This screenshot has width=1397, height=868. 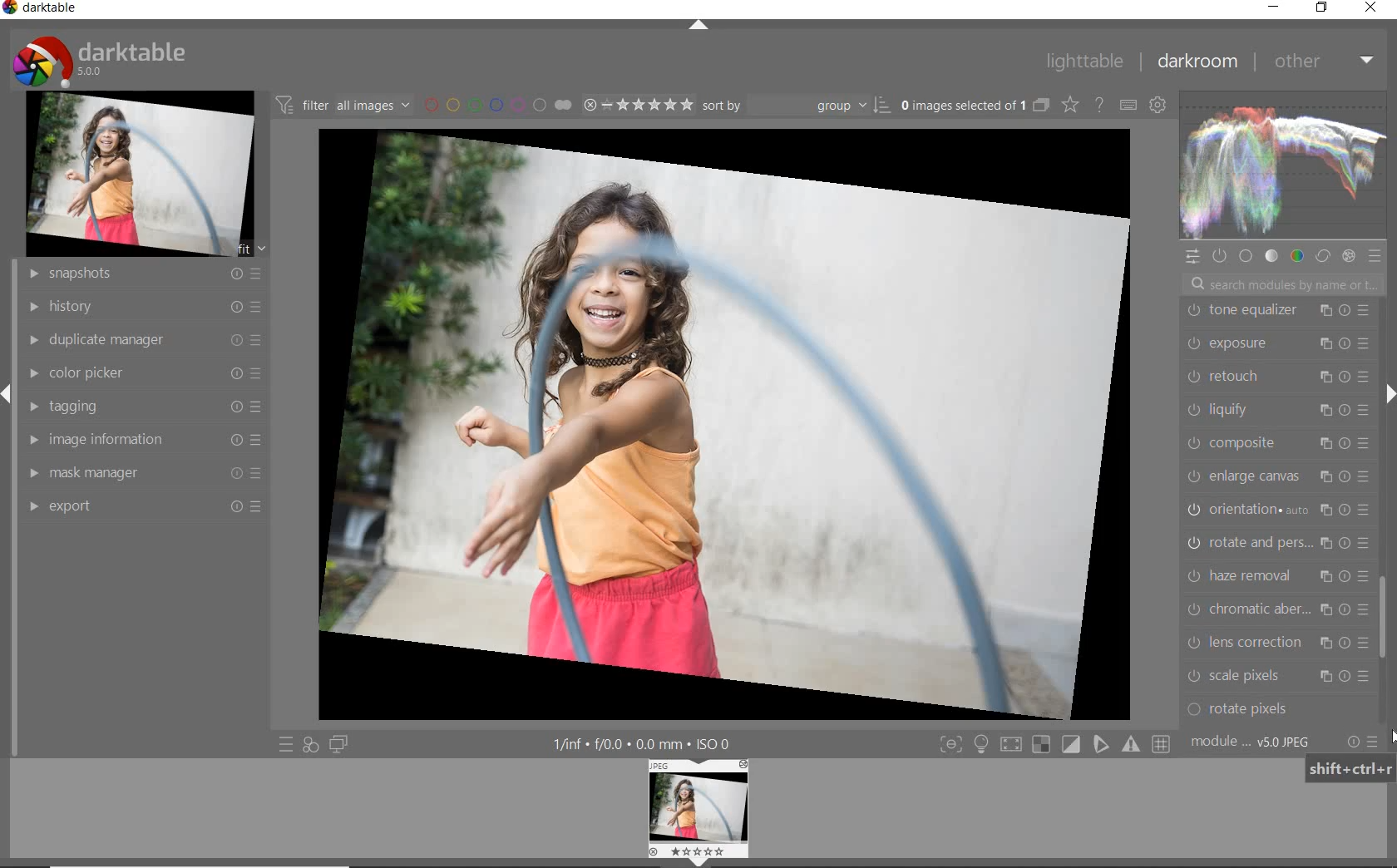 What do you see at coordinates (697, 27) in the screenshot?
I see `expand/collapse` at bounding box center [697, 27].